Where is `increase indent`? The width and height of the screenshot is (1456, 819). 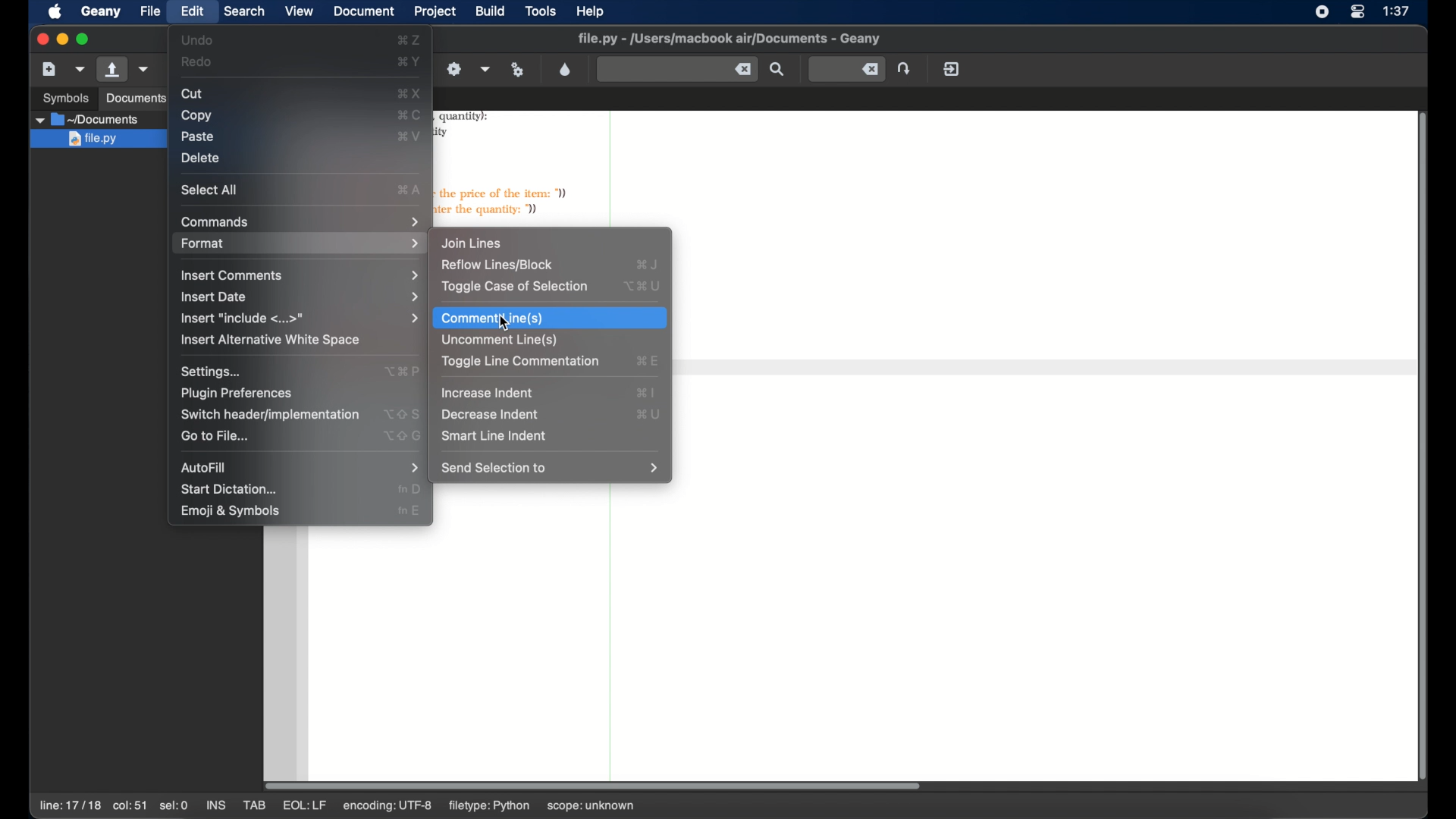 increase indent is located at coordinates (487, 393).